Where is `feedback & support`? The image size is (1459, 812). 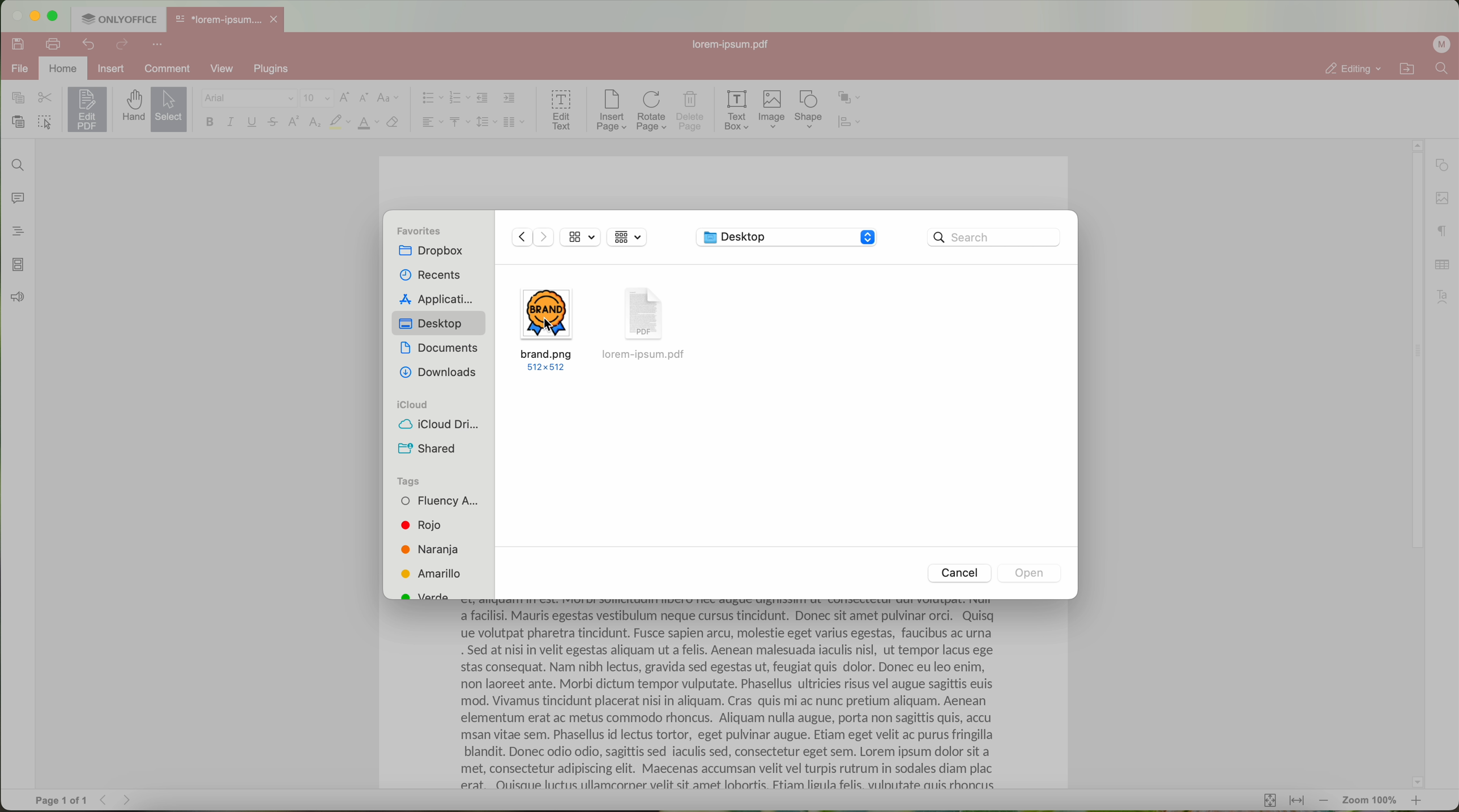 feedback & support is located at coordinates (16, 299).